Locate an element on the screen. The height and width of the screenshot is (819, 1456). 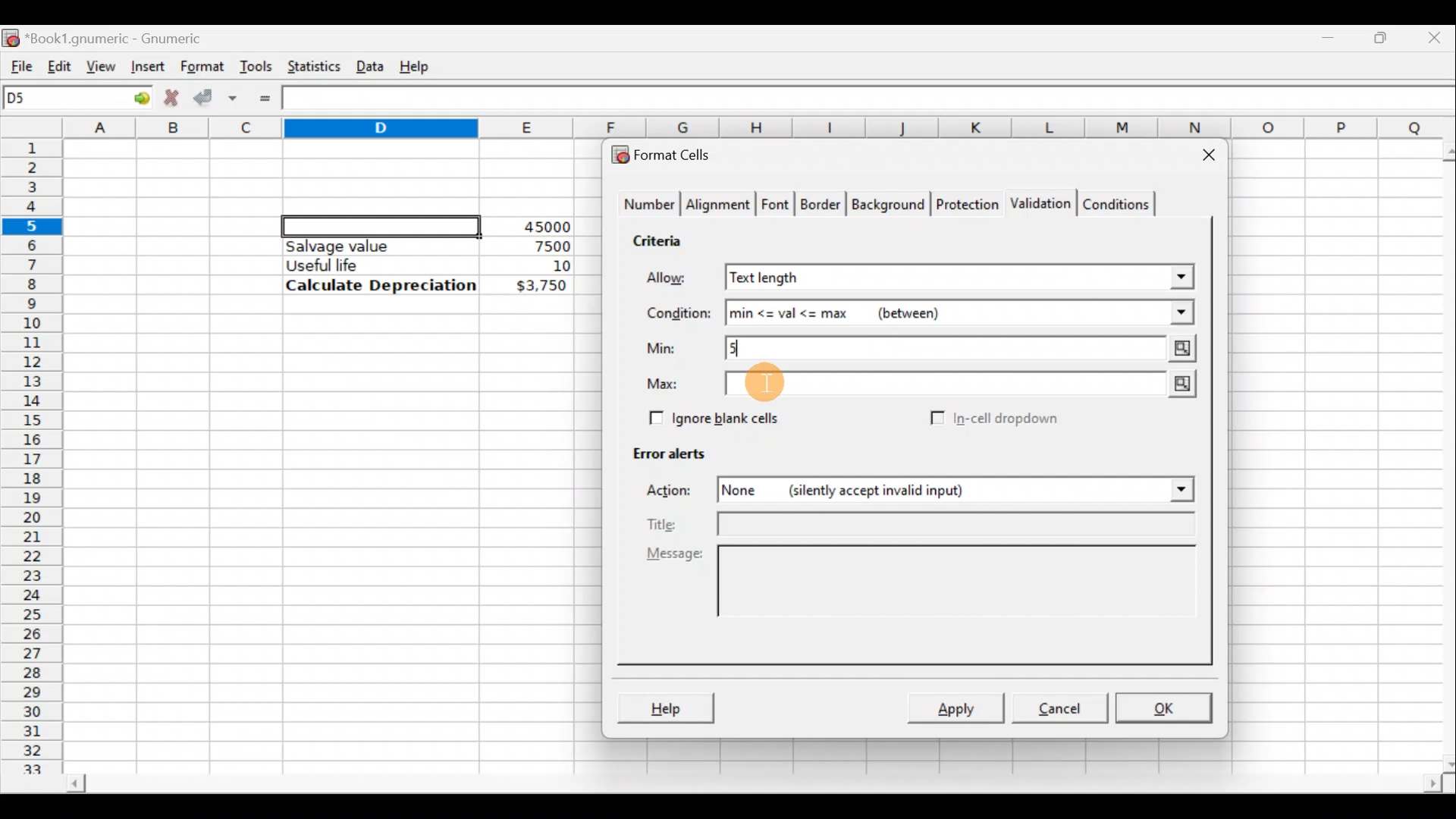
OK is located at coordinates (1166, 708).